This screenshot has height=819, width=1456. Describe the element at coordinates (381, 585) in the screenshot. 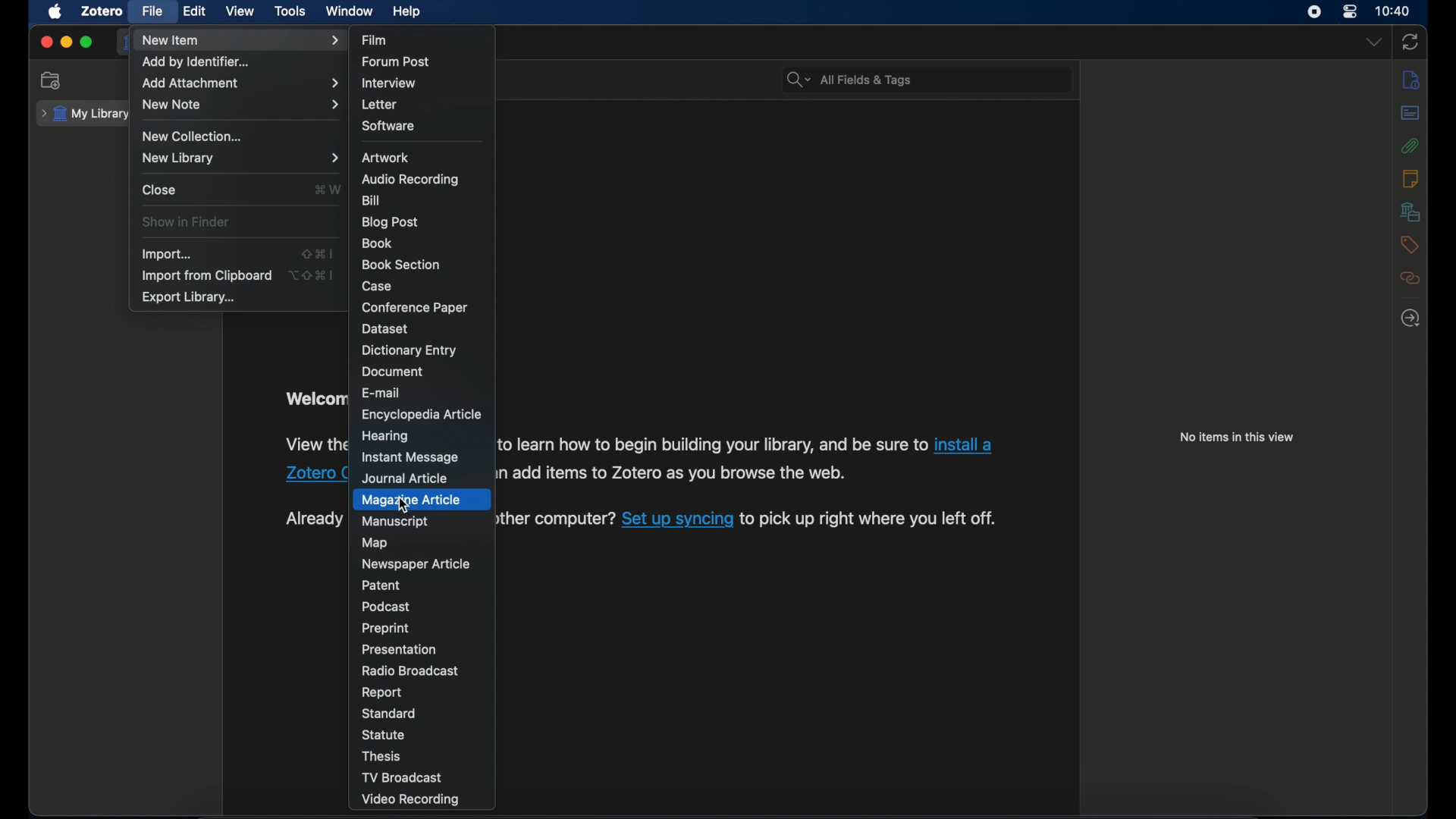

I see `patent` at that location.